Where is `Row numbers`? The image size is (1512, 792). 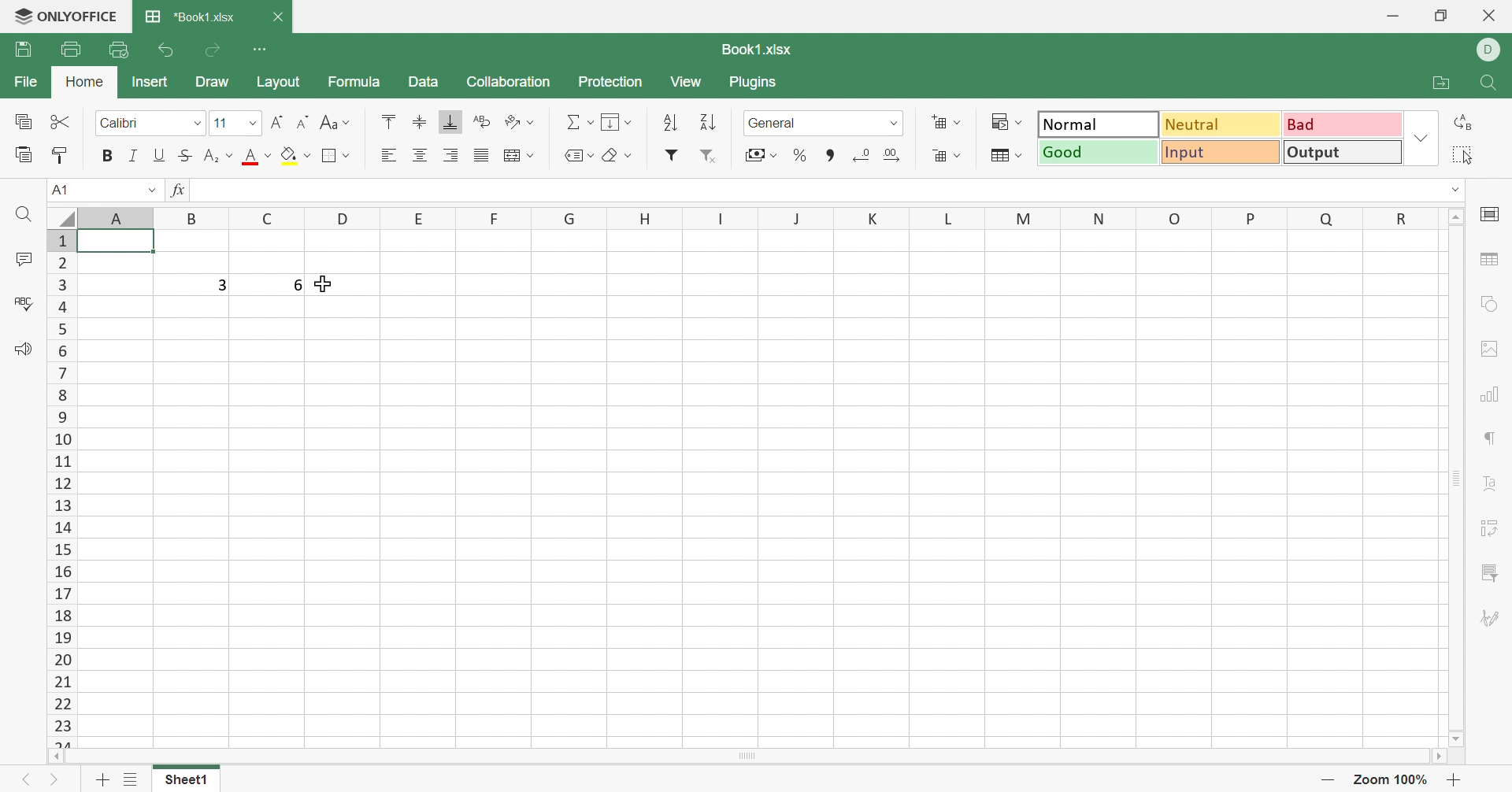
Row numbers is located at coordinates (61, 490).